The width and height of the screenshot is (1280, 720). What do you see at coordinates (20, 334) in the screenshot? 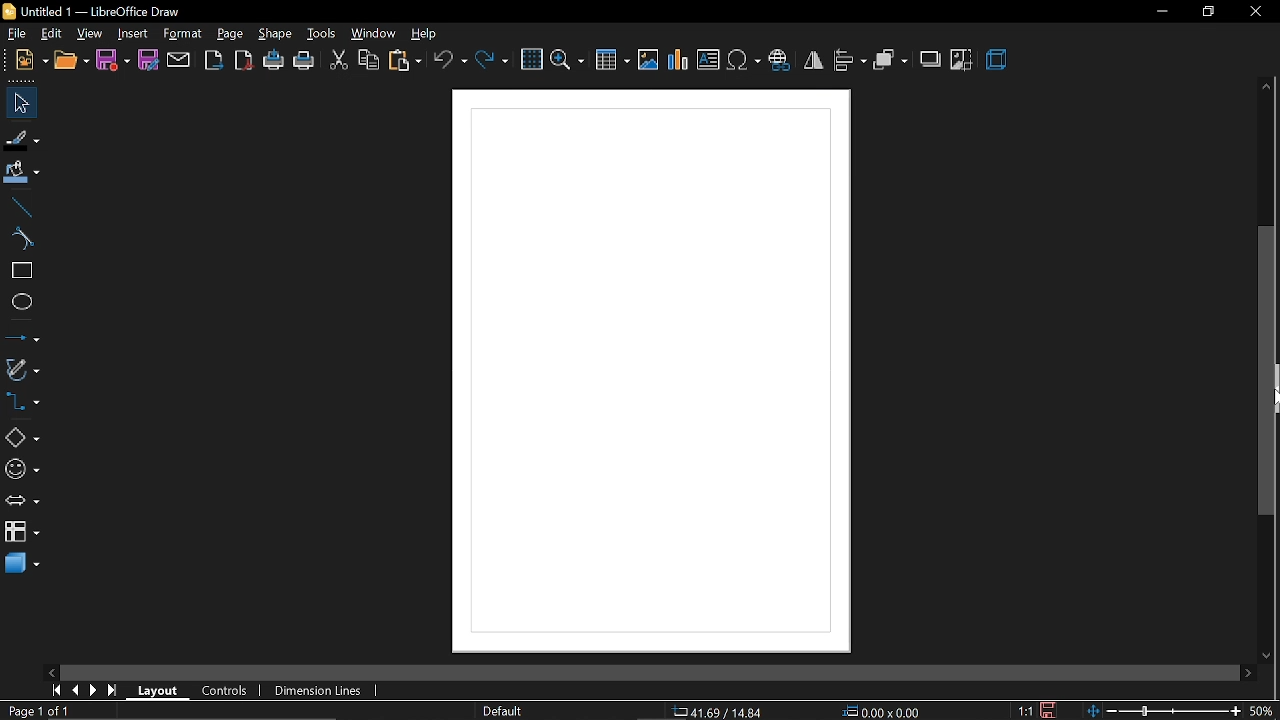
I see `lines and arrows` at bounding box center [20, 334].